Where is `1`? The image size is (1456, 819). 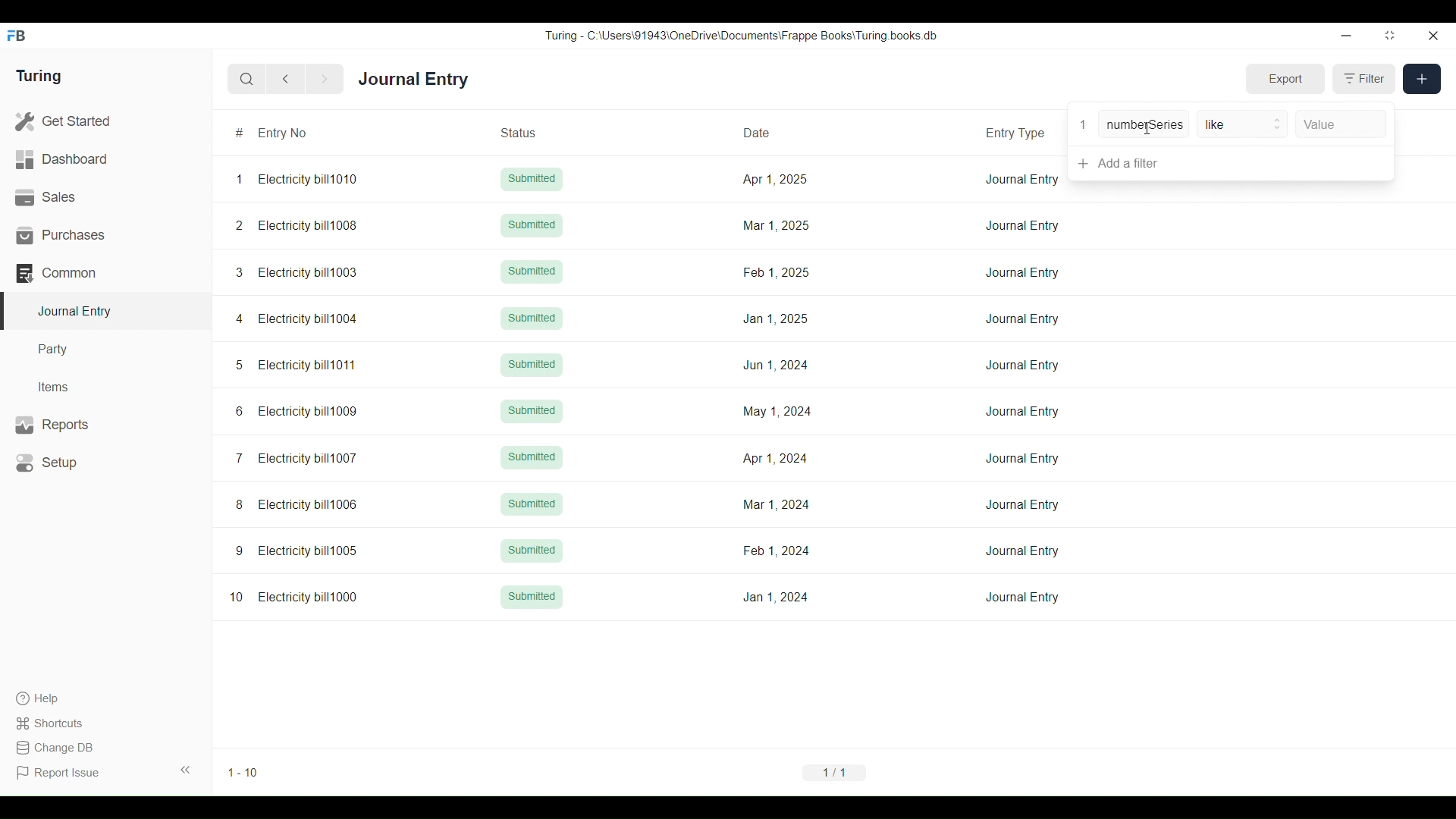 1 is located at coordinates (1084, 124).